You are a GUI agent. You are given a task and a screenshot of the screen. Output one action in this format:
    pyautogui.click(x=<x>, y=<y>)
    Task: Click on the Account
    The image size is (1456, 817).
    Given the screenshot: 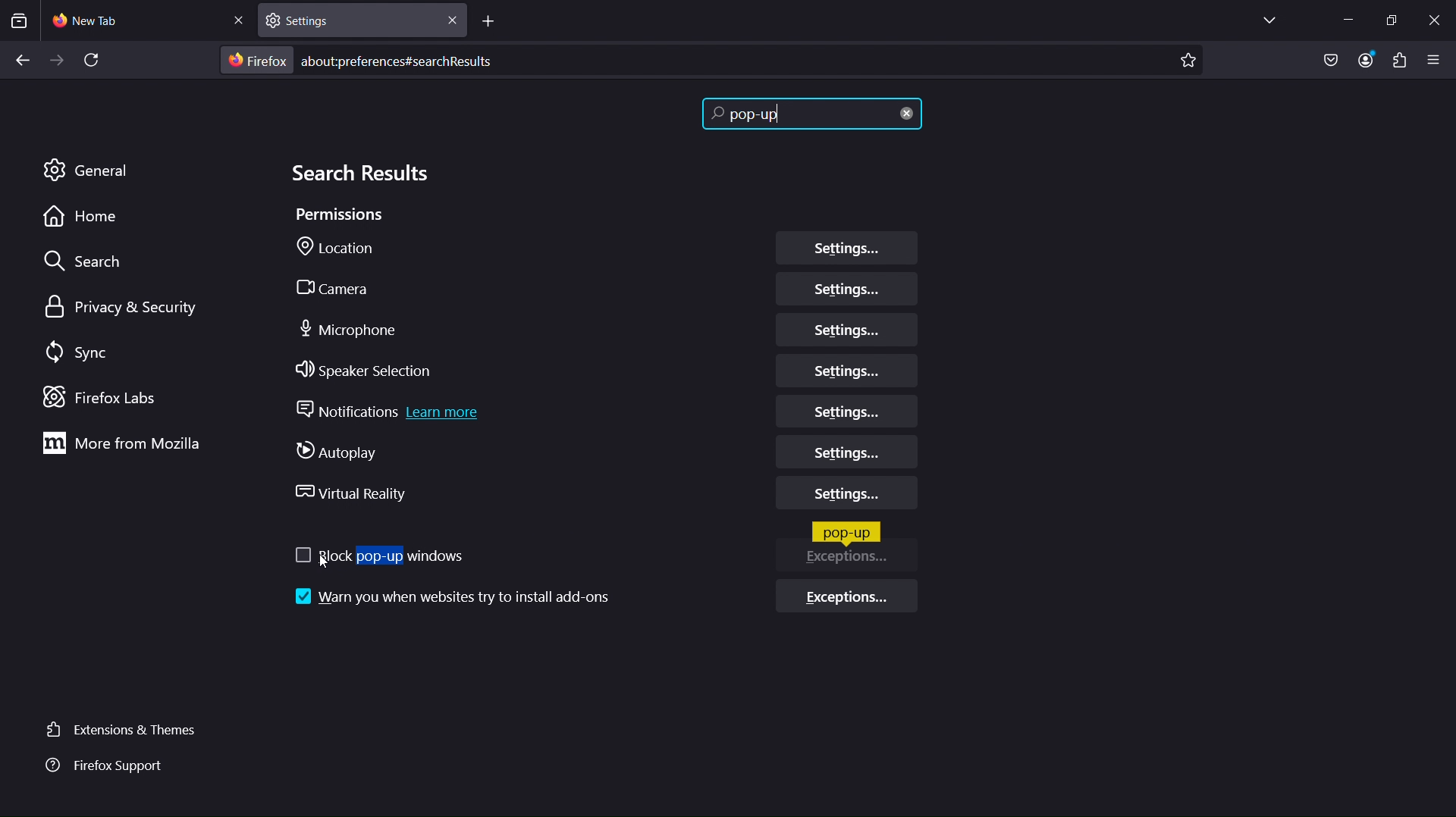 What is the action you would take?
    pyautogui.click(x=1369, y=60)
    